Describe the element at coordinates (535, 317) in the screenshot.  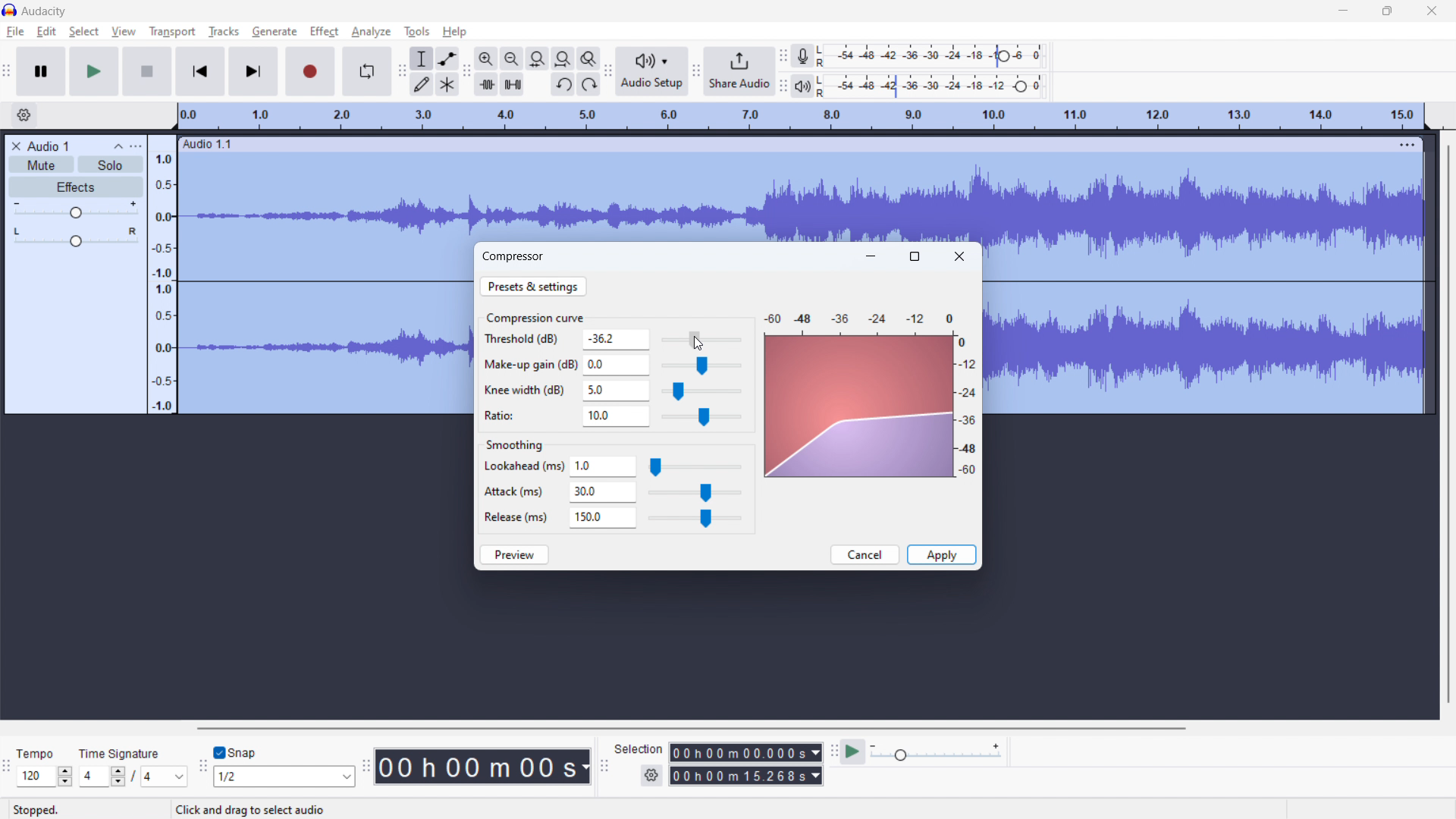
I see `Compression curve` at that location.